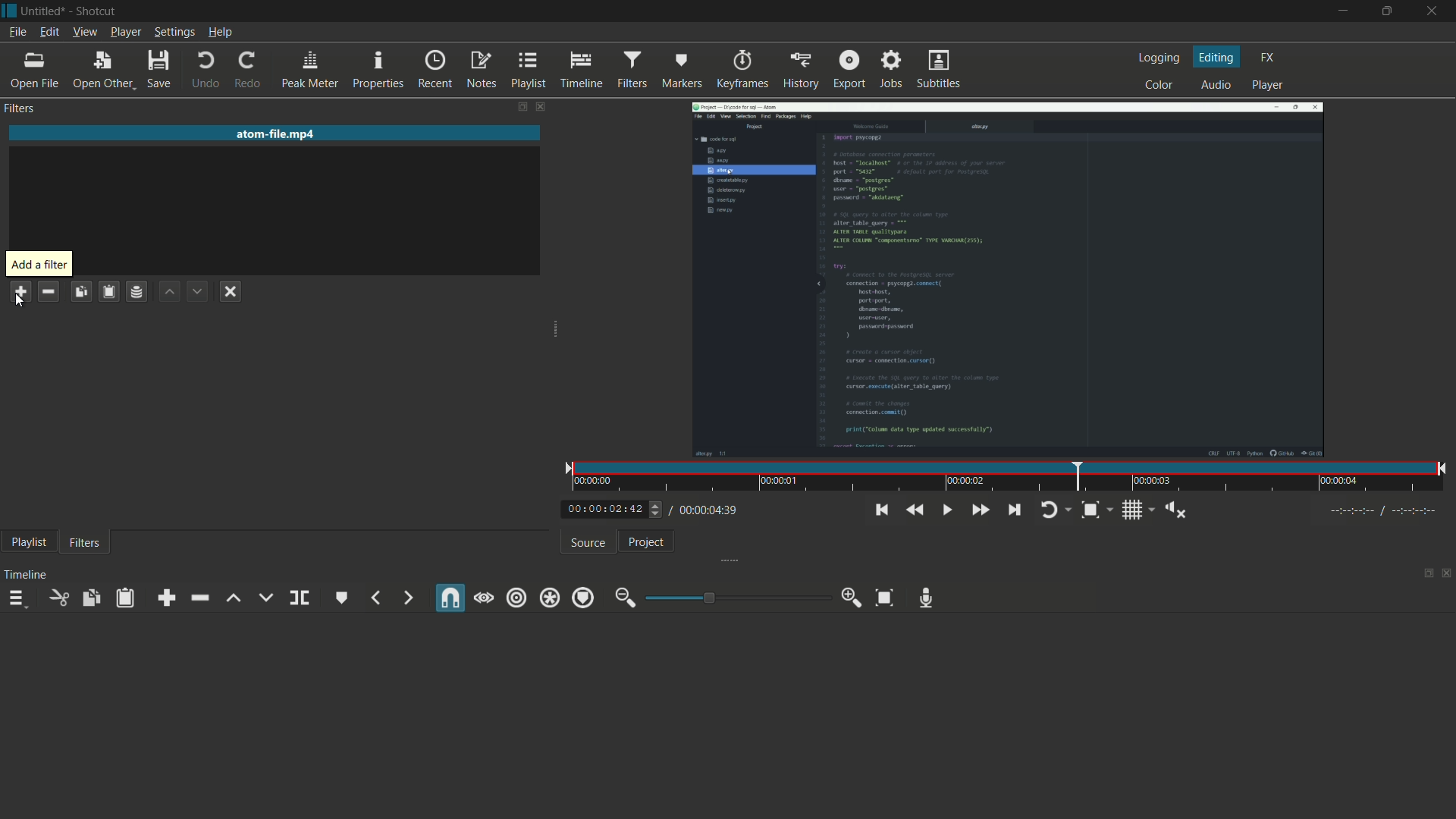 The image size is (1456, 819). What do you see at coordinates (1433, 11) in the screenshot?
I see `close app` at bounding box center [1433, 11].